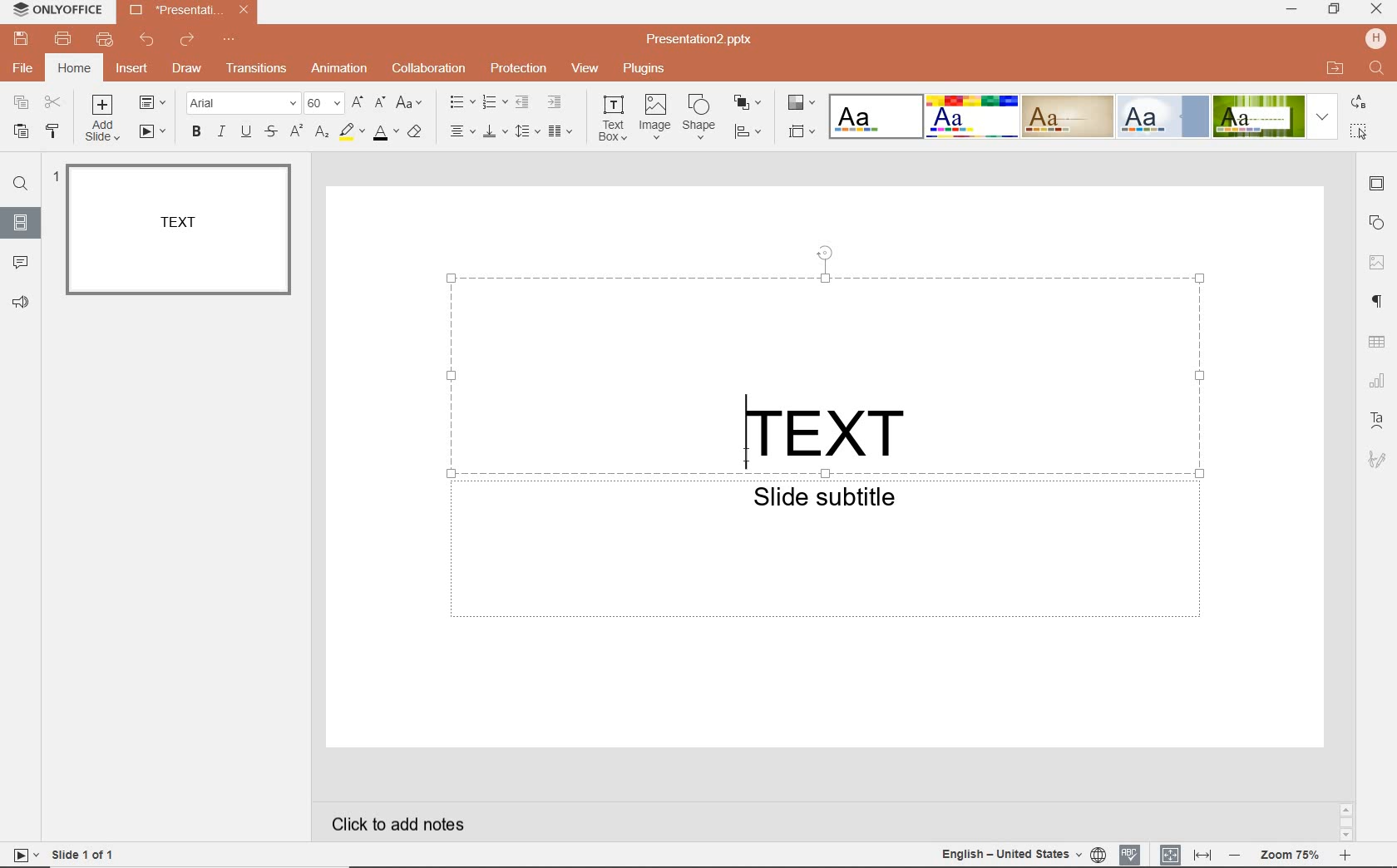 The width and height of the screenshot is (1397, 868). Describe the element at coordinates (1288, 856) in the screenshot. I see `ZOOM` at that location.